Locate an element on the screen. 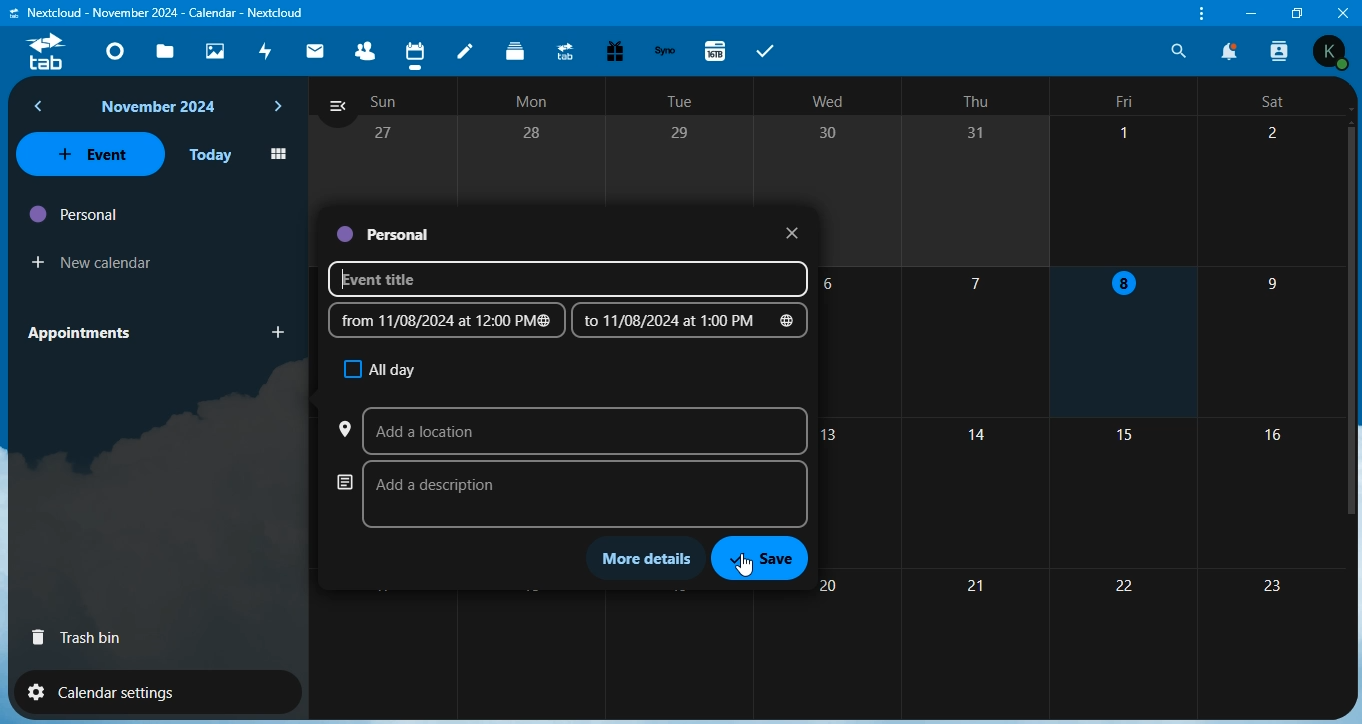  free trial is located at coordinates (615, 49).